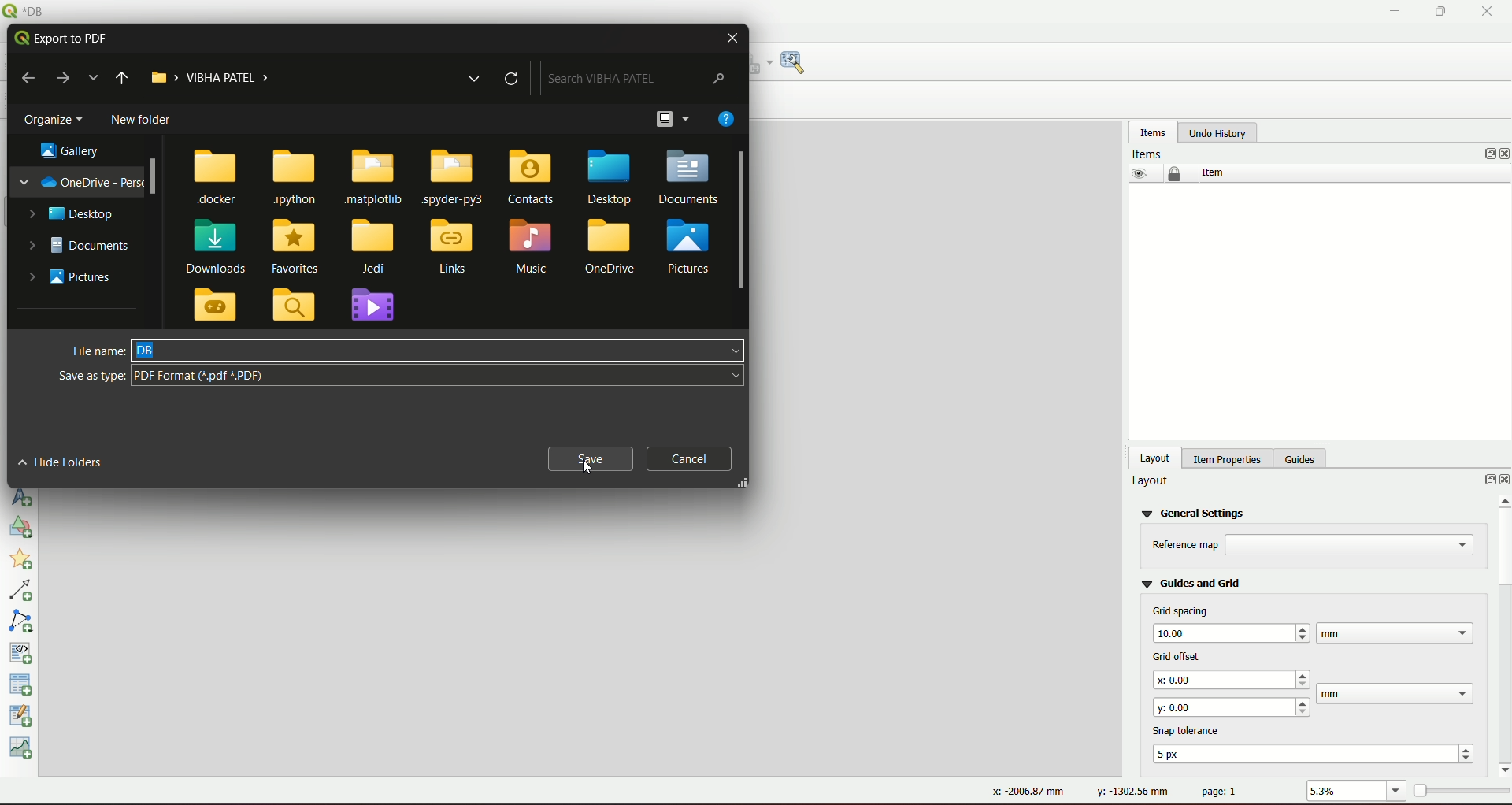 This screenshot has height=805, width=1512. What do you see at coordinates (85, 248) in the screenshot?
I see `documents` at bounding box center [85, 248].